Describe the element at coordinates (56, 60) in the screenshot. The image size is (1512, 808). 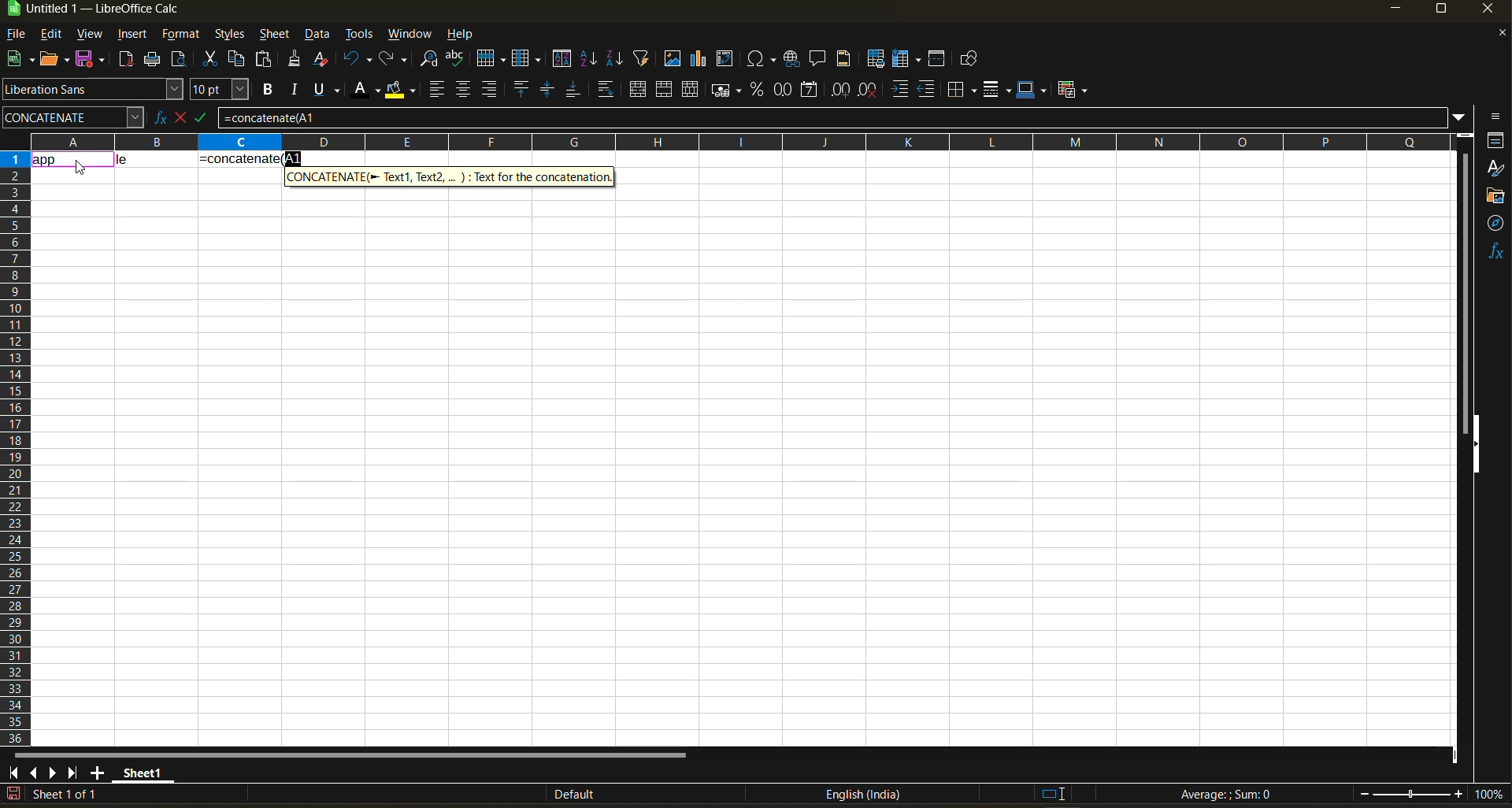
I see `open` at that location.